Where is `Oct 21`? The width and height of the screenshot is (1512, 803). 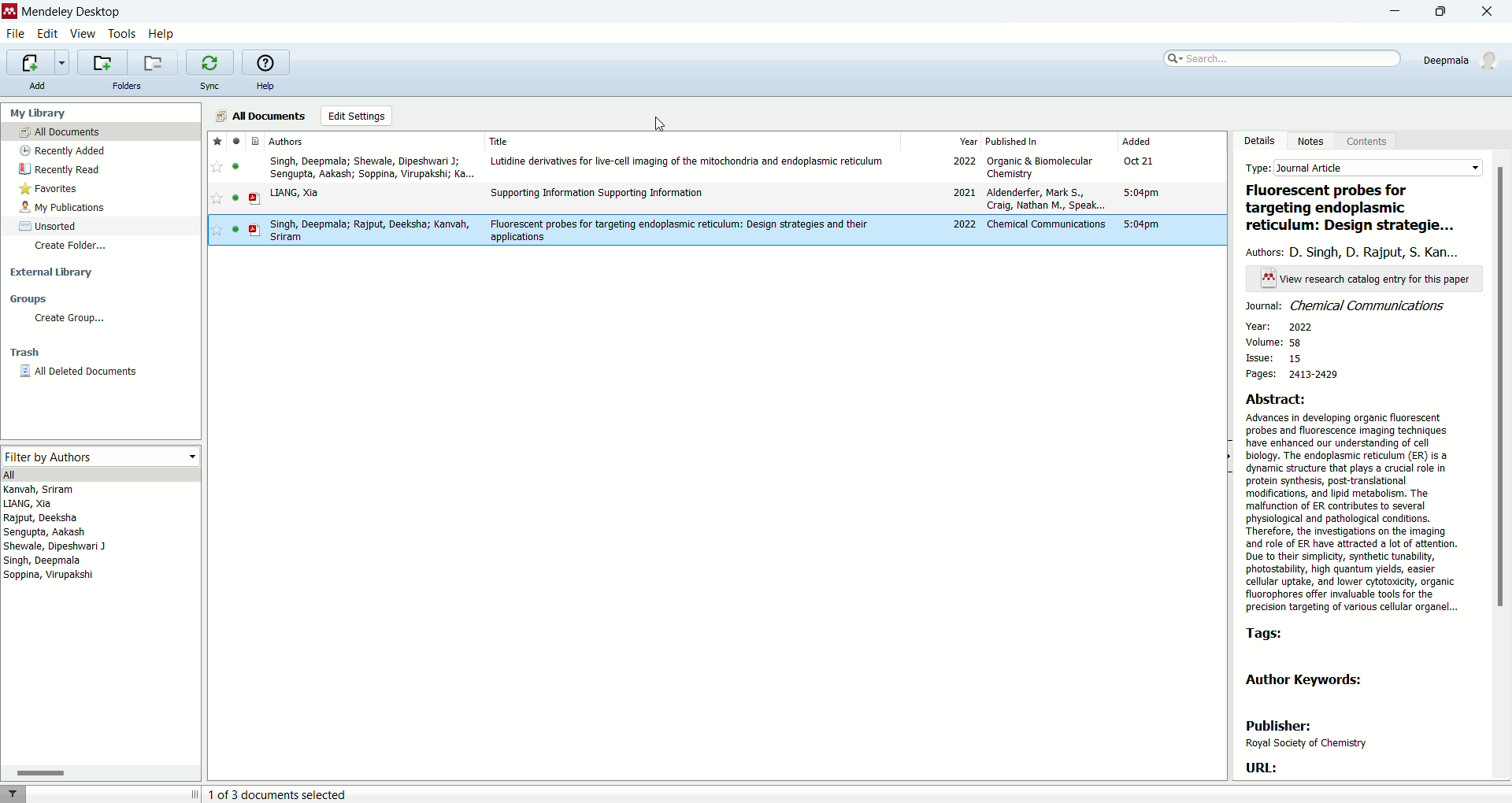 Oct 21 is located at coordinates (1142, 162).